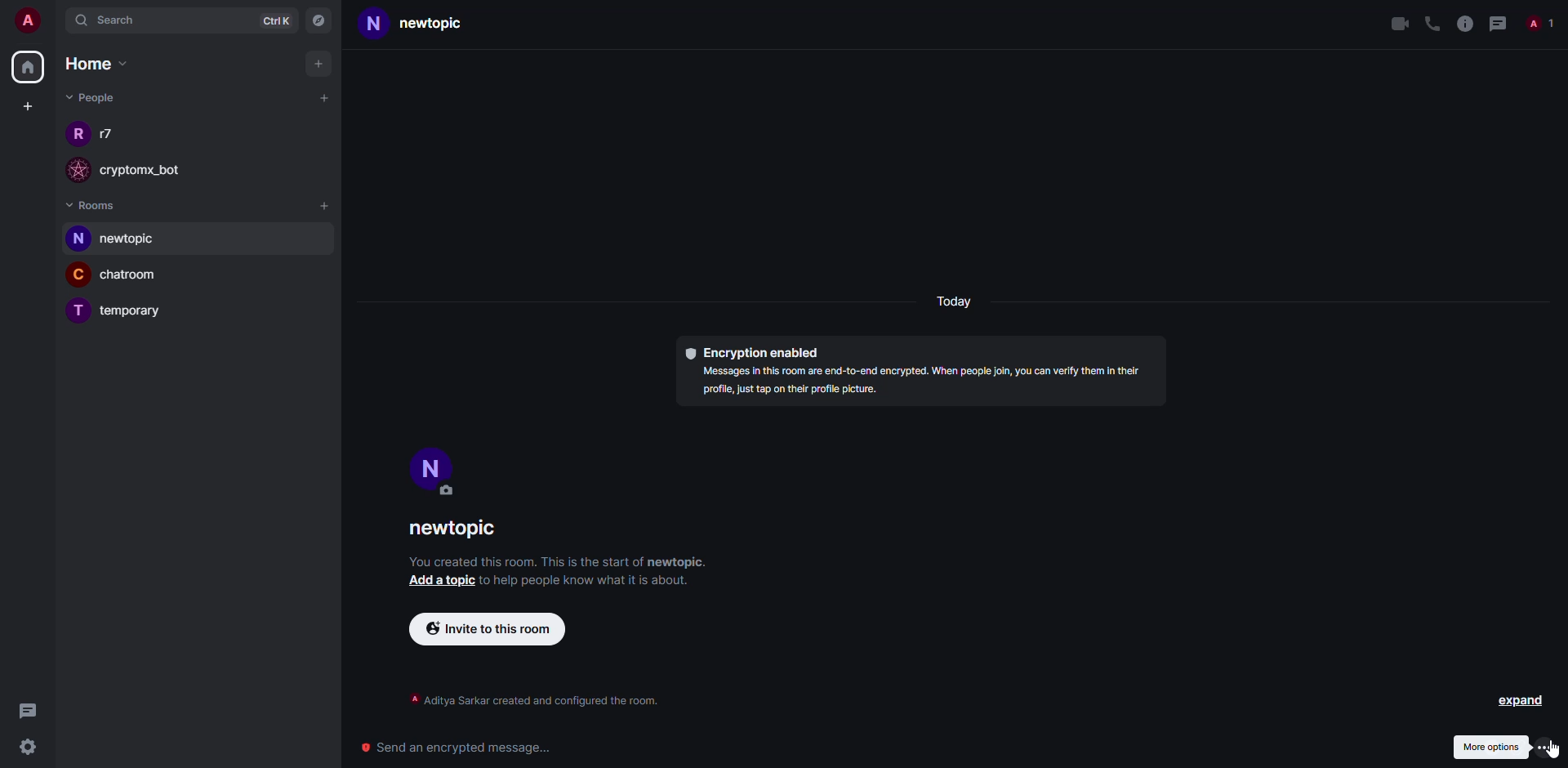 Image resolution: width=1568 pixels, height=768 pixels. I want to click on threads, so click(1499, 24).